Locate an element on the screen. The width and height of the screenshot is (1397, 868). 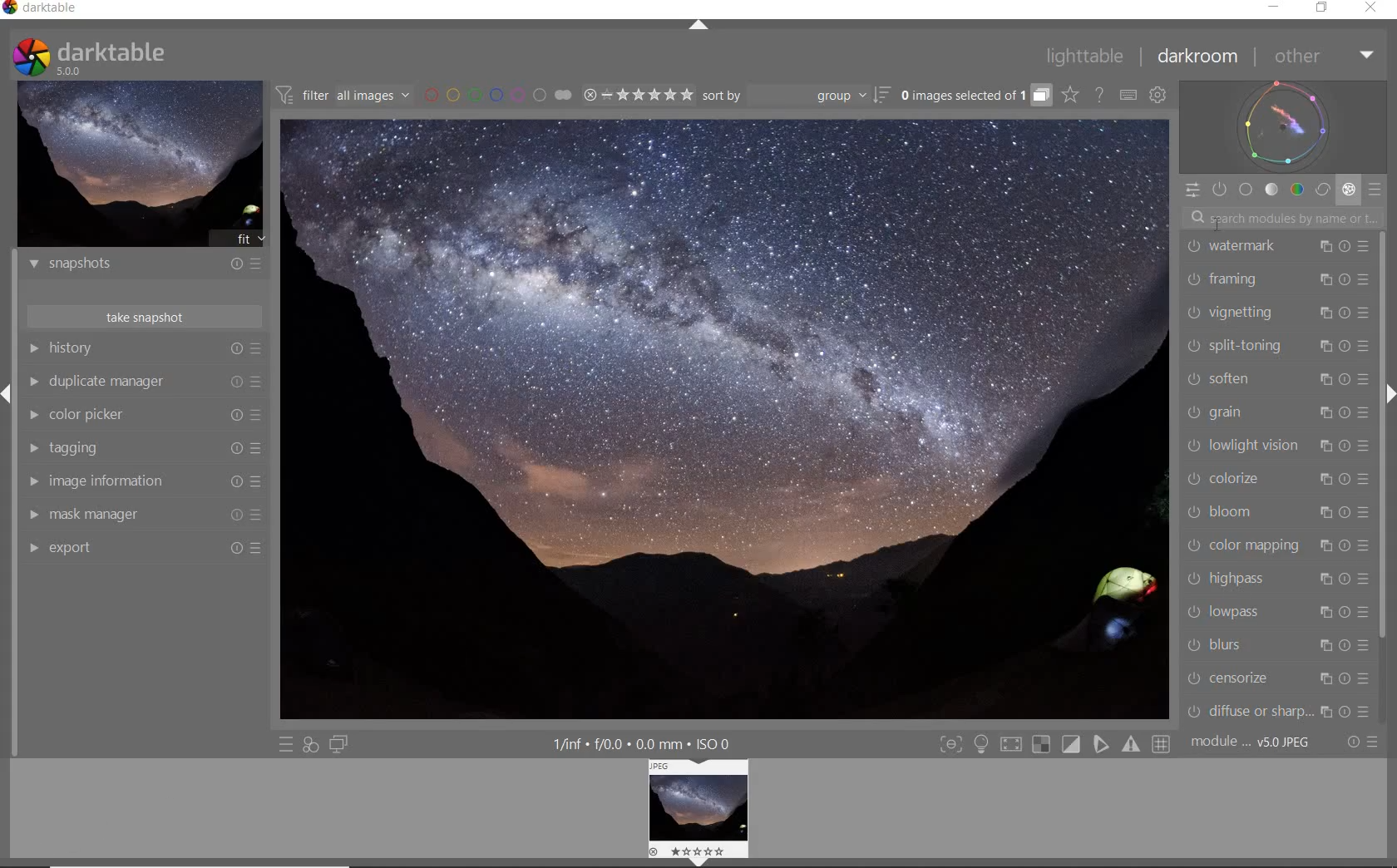
Presets and preferences is located at coordinates (259, 378).